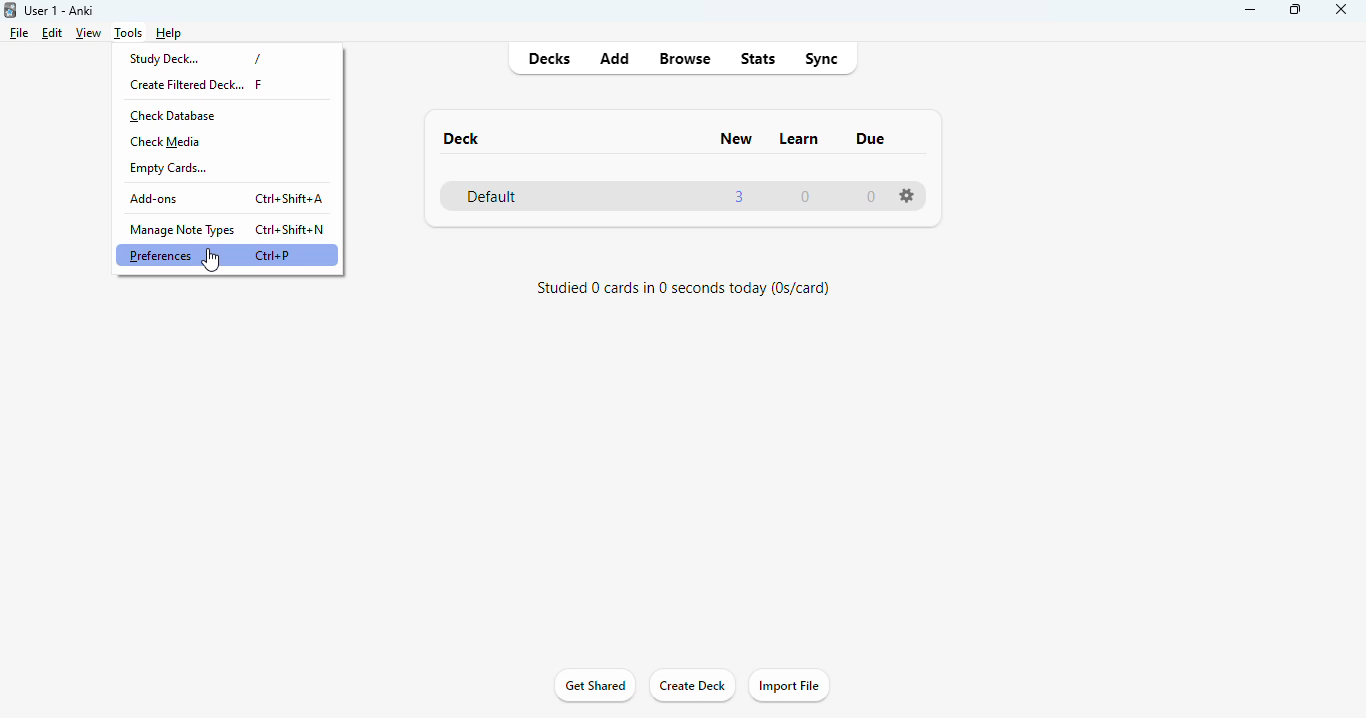 This screenshot has height=718, width=1366. Describe the element at coordinates (693, 685) in the screenshot. I see `create deck` at that location.